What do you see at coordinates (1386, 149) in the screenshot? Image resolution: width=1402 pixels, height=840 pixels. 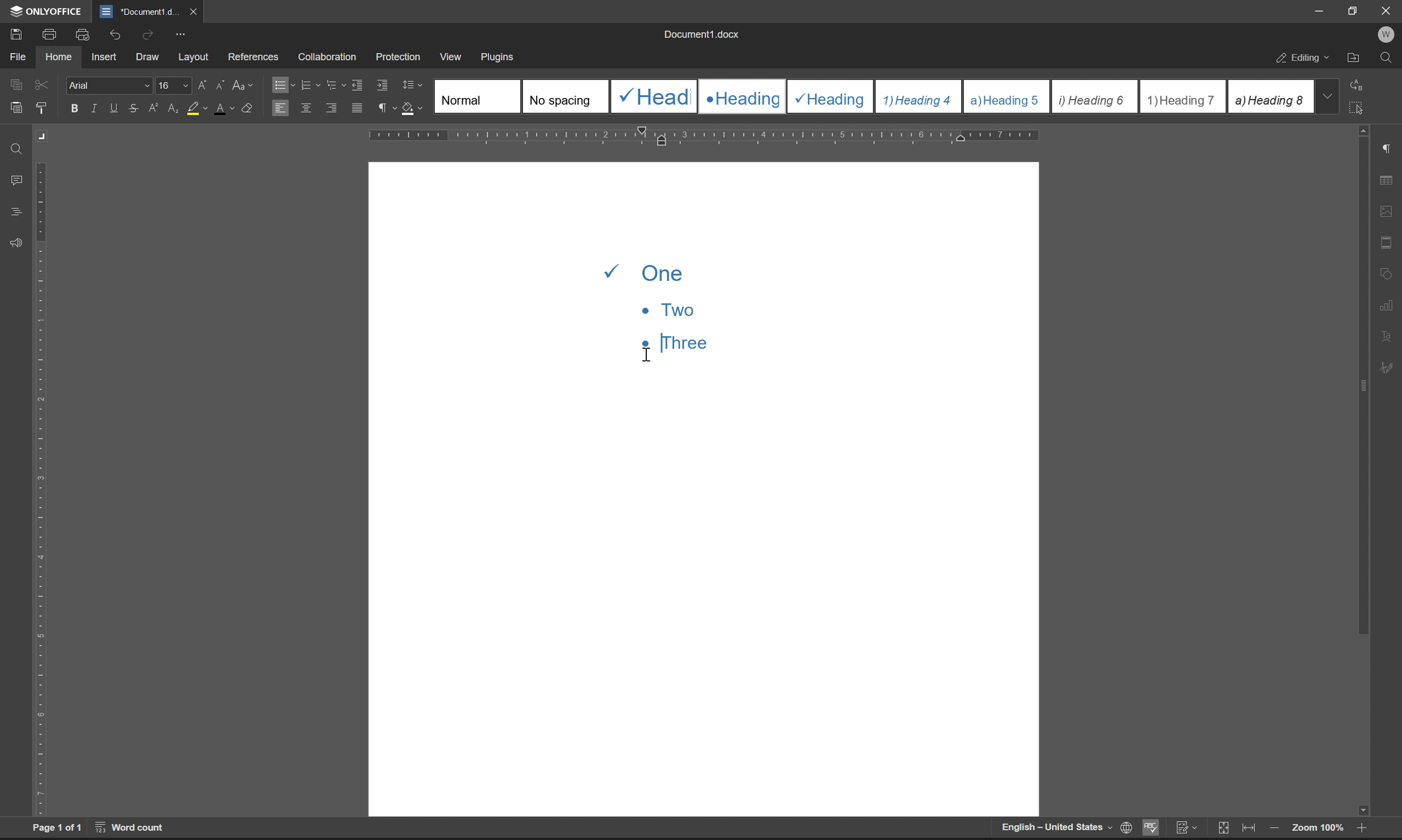 I see `paragraph settings` at bounding box center [1386, 149].